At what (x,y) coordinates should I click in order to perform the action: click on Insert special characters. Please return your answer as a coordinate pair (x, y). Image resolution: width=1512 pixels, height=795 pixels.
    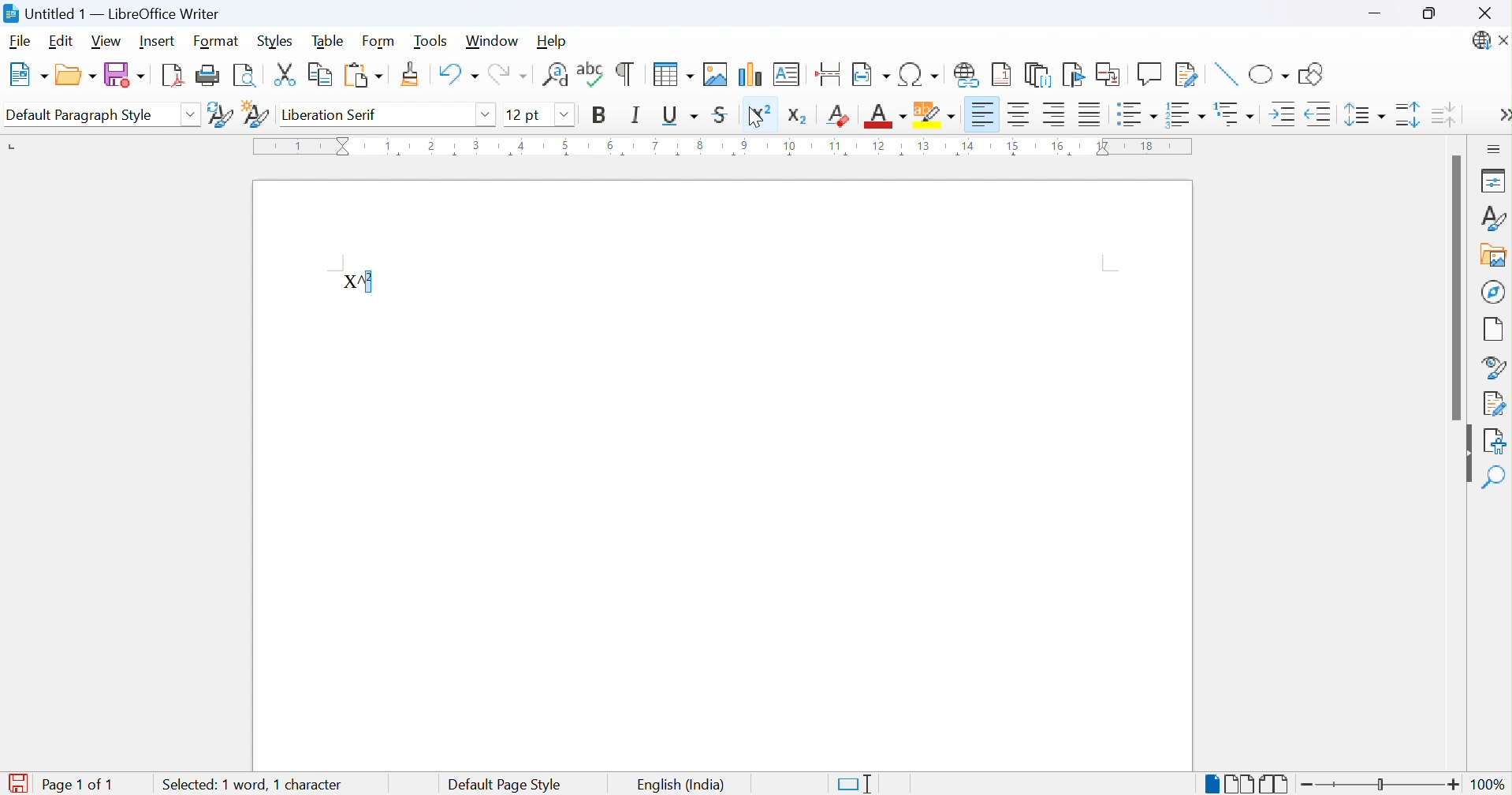
    Looking at the image, I should click on (920, 74).